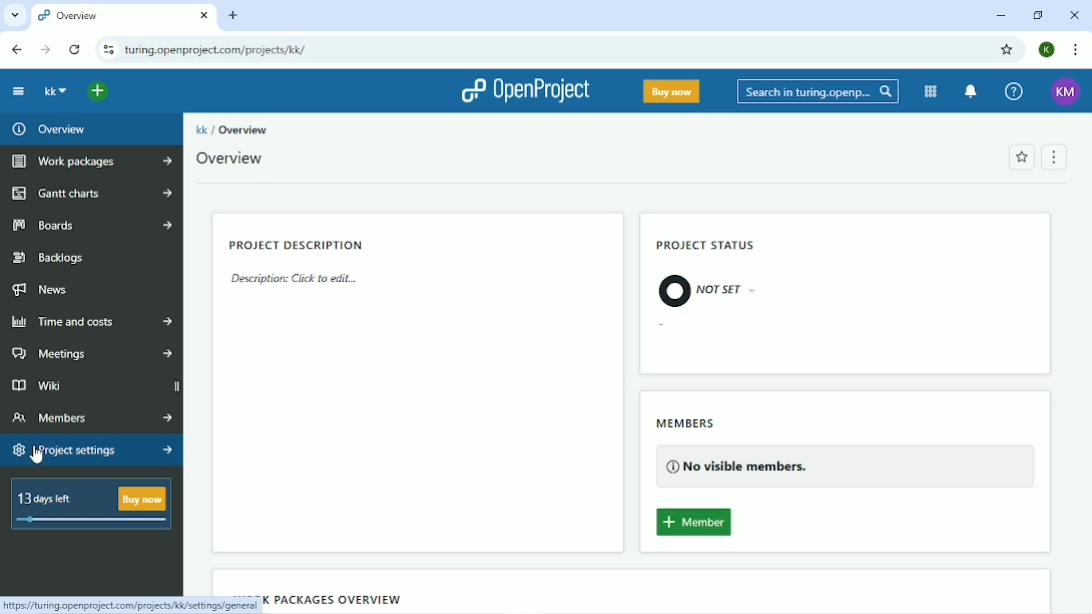 This screenshot has height=614, width=1092. What do you see at coordinates (1066, 92) in the screenshot?
I see `KM` at bounding box center [1066, 92].